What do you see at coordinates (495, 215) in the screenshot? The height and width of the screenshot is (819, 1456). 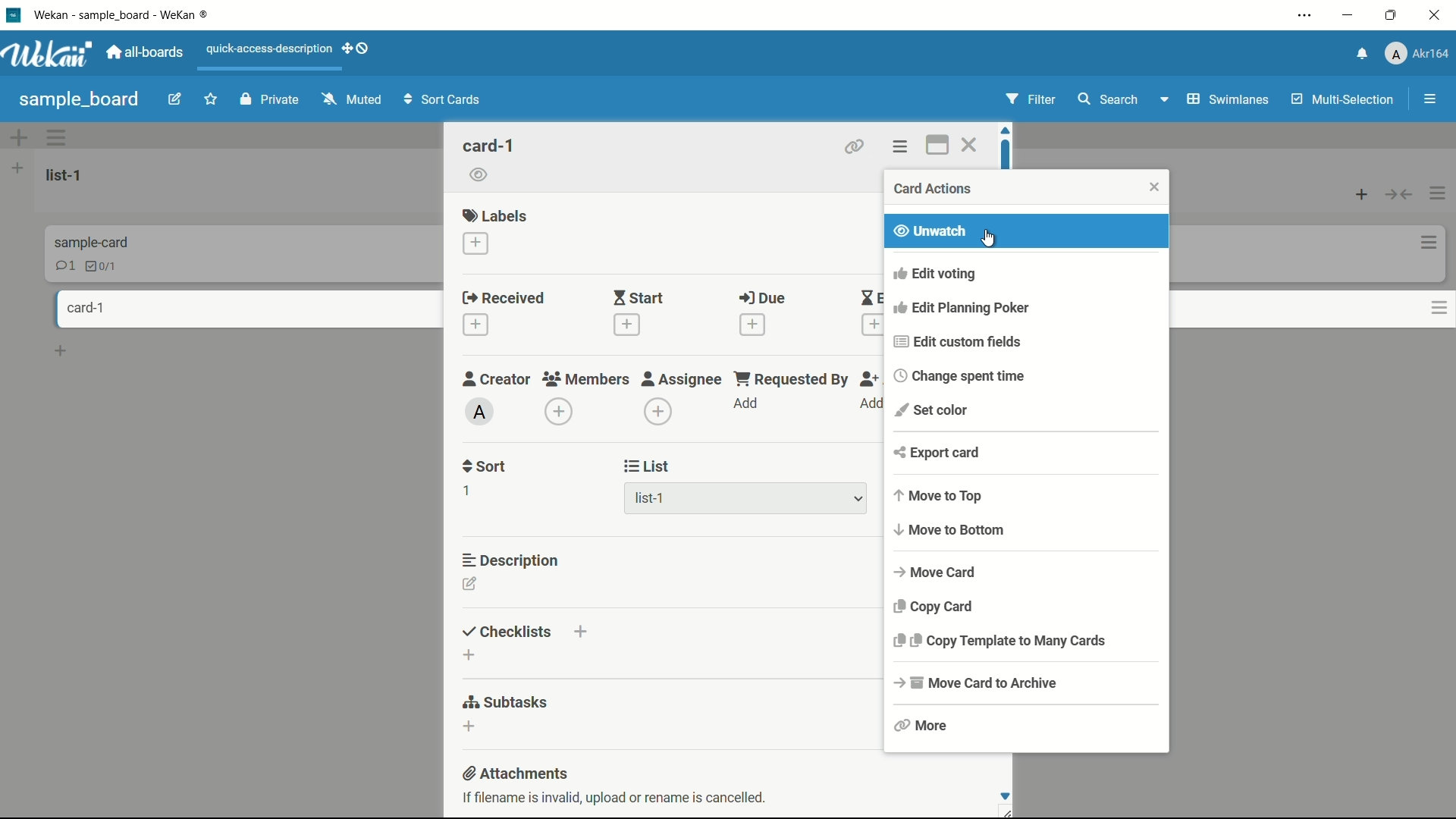 I see `labels` at bounding box center [495, 215].